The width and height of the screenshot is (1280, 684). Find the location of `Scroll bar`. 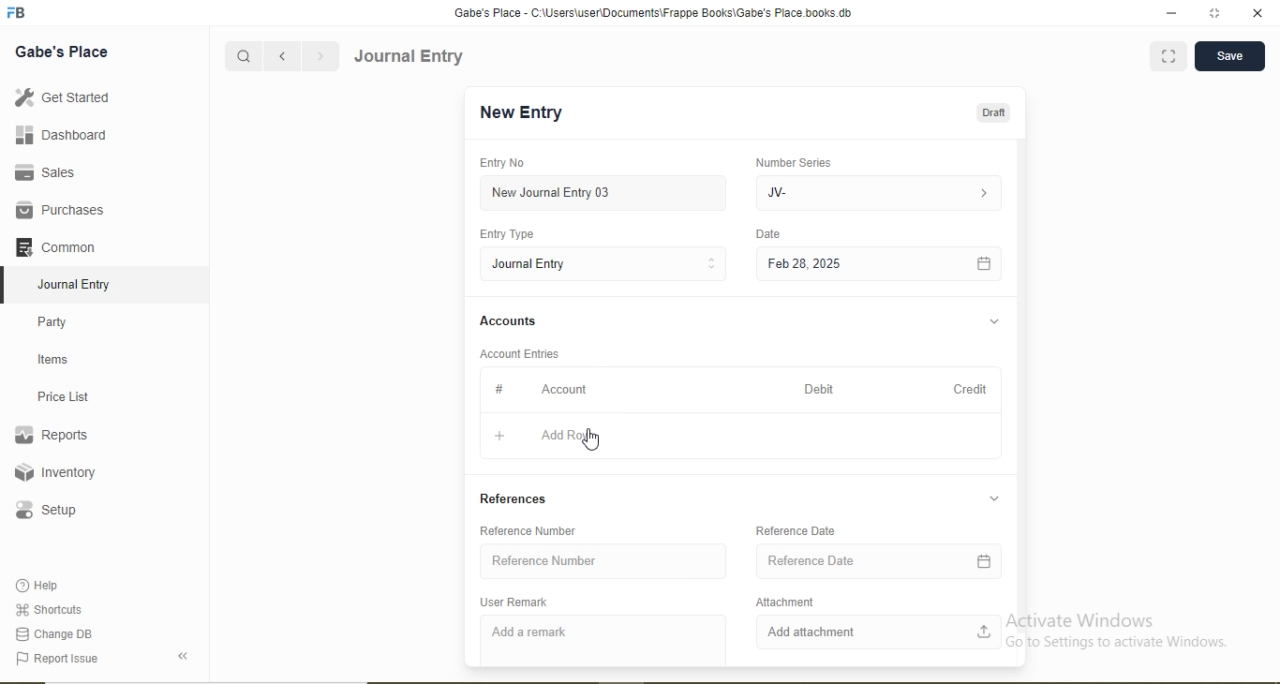

Scroll bar is located at coordinates (1021, 386).